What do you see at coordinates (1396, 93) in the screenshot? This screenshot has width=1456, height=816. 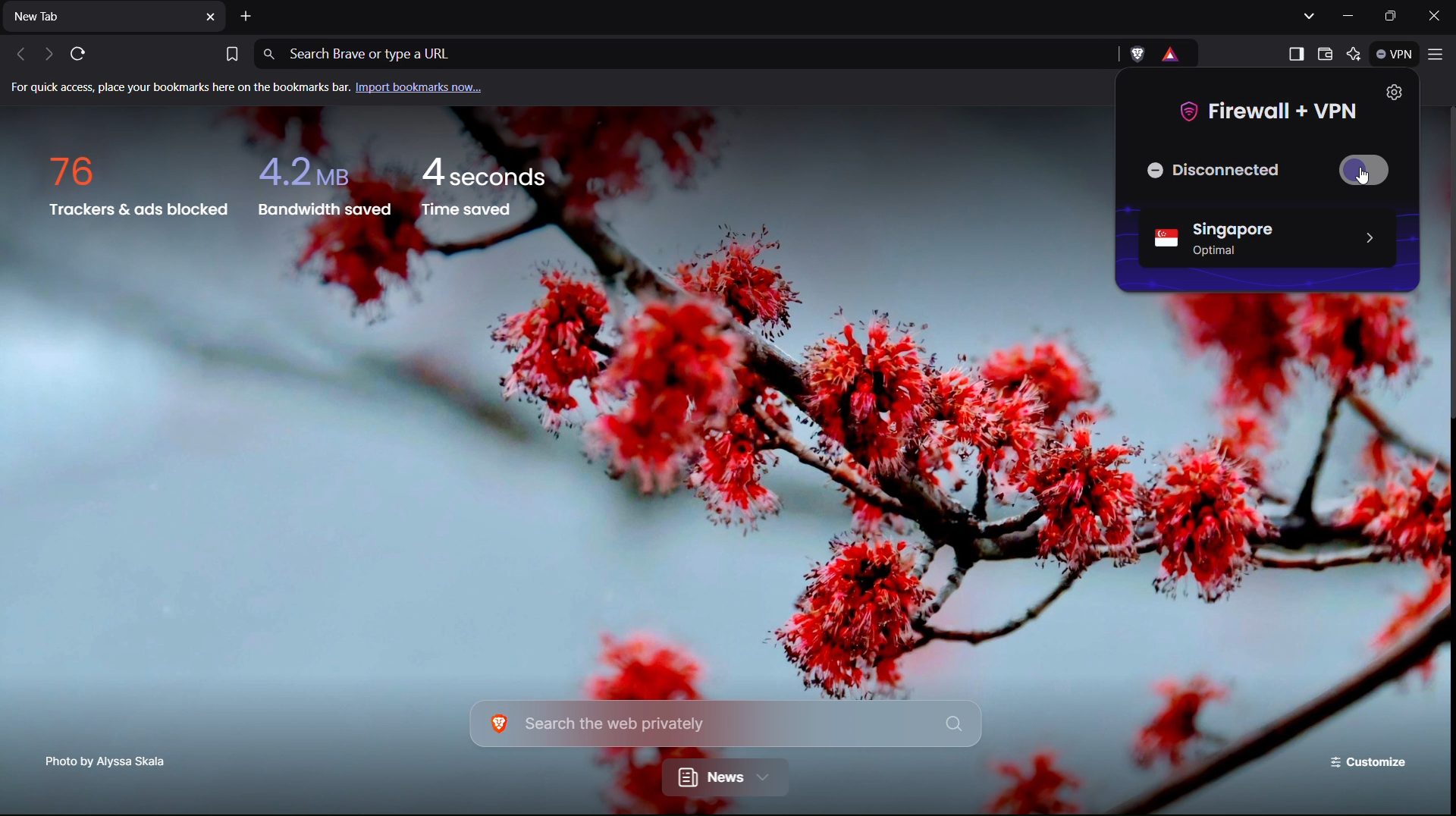 I see `Settings` at bounding box center [1396, 93].